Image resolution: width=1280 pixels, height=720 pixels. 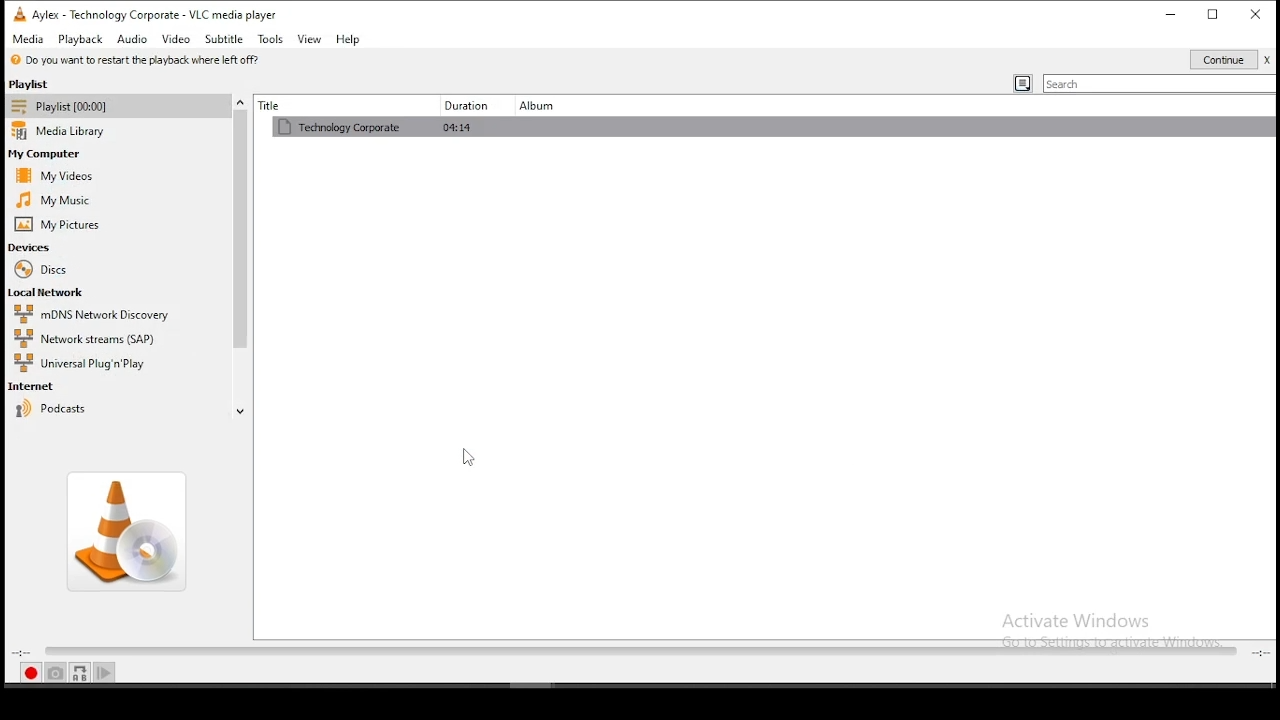 I want to click on aylex - technologt corporate - VLC media player, so click(x=161, y=12).